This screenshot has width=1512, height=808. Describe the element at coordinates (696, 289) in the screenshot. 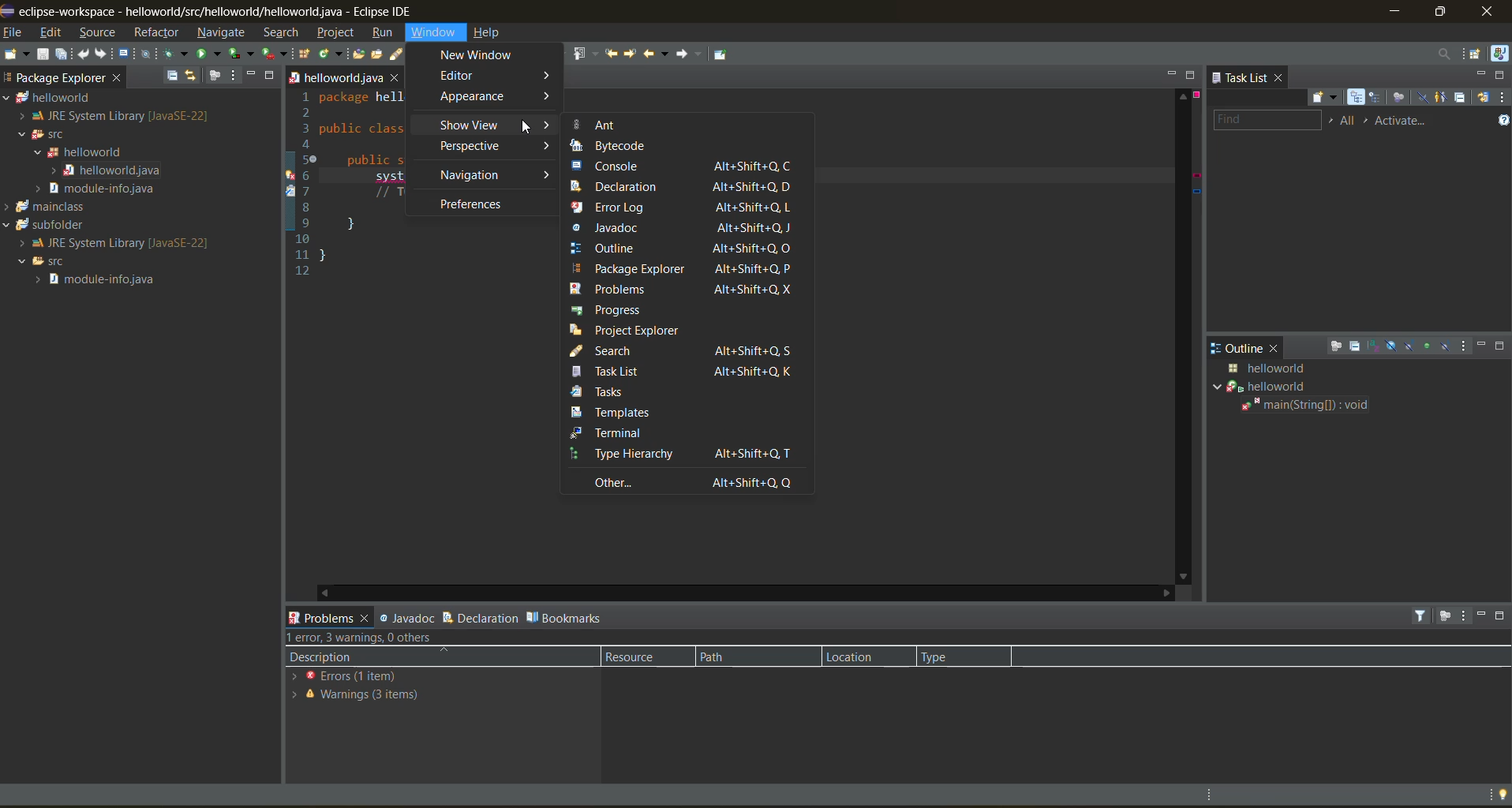

I see `problems` at that location.